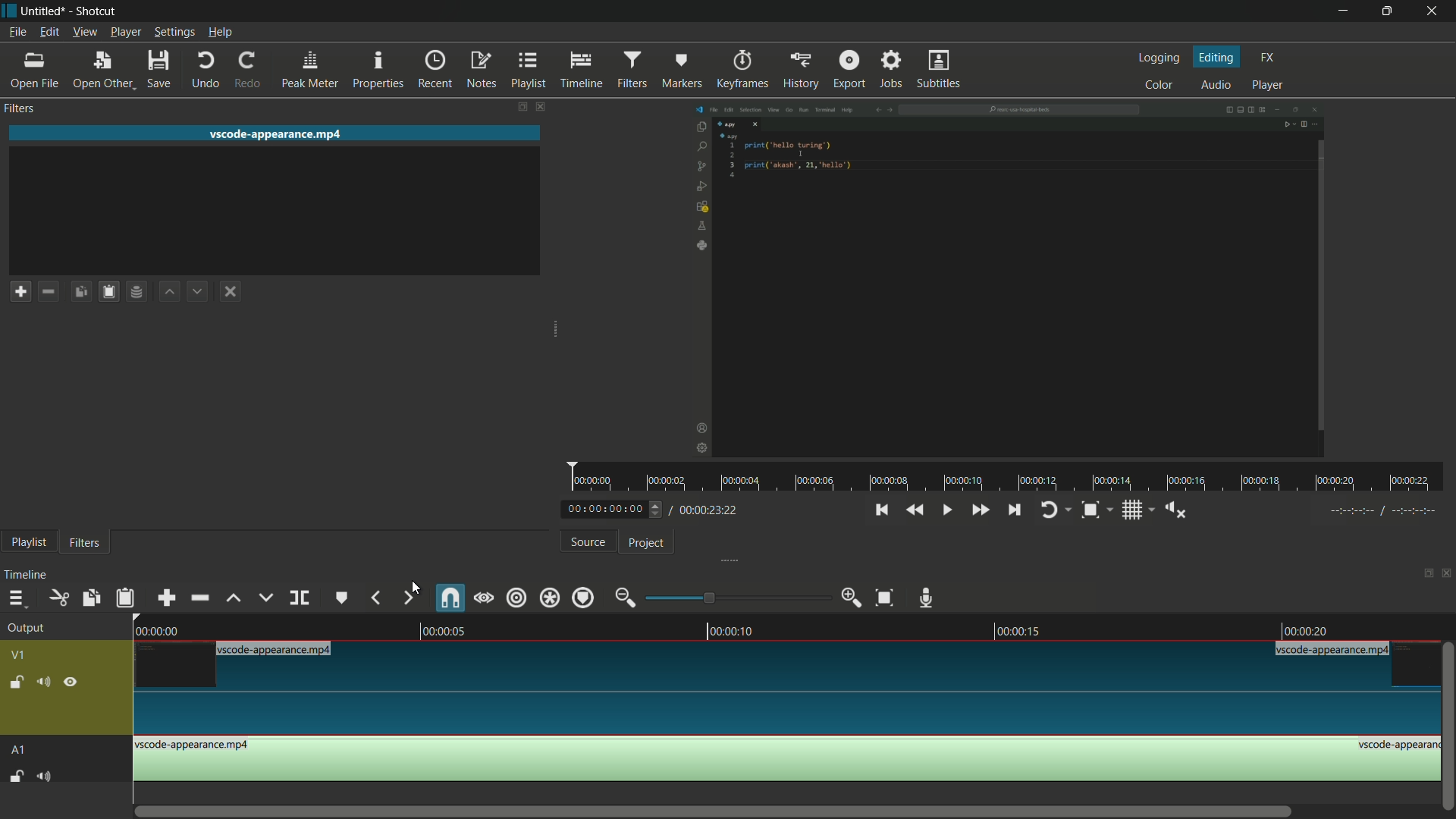 This screenshot has width=1456, height=819. I want to click on lift, so click(231, 598).